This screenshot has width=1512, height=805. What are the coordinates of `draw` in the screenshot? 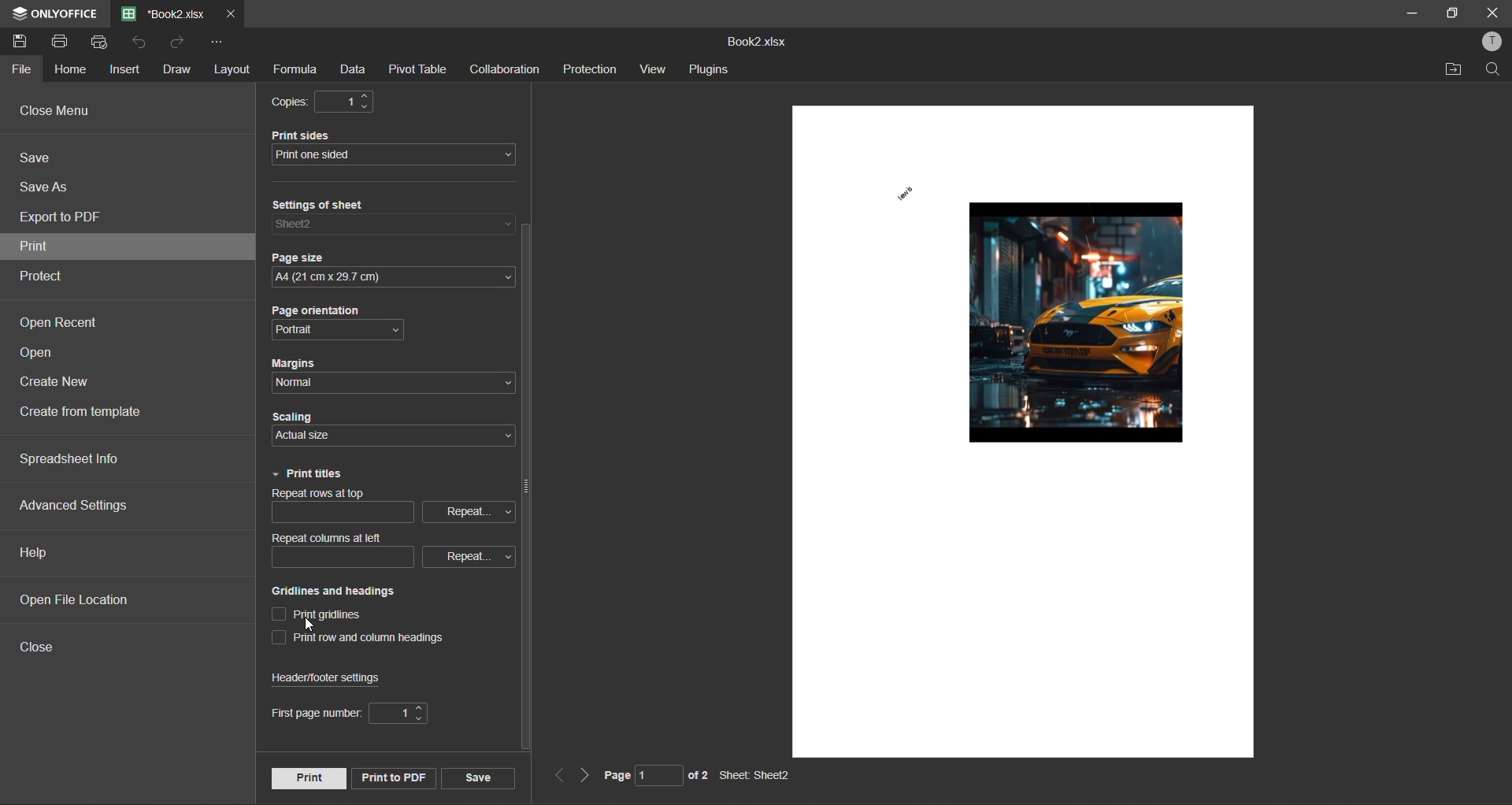 It's located at (174, 73).